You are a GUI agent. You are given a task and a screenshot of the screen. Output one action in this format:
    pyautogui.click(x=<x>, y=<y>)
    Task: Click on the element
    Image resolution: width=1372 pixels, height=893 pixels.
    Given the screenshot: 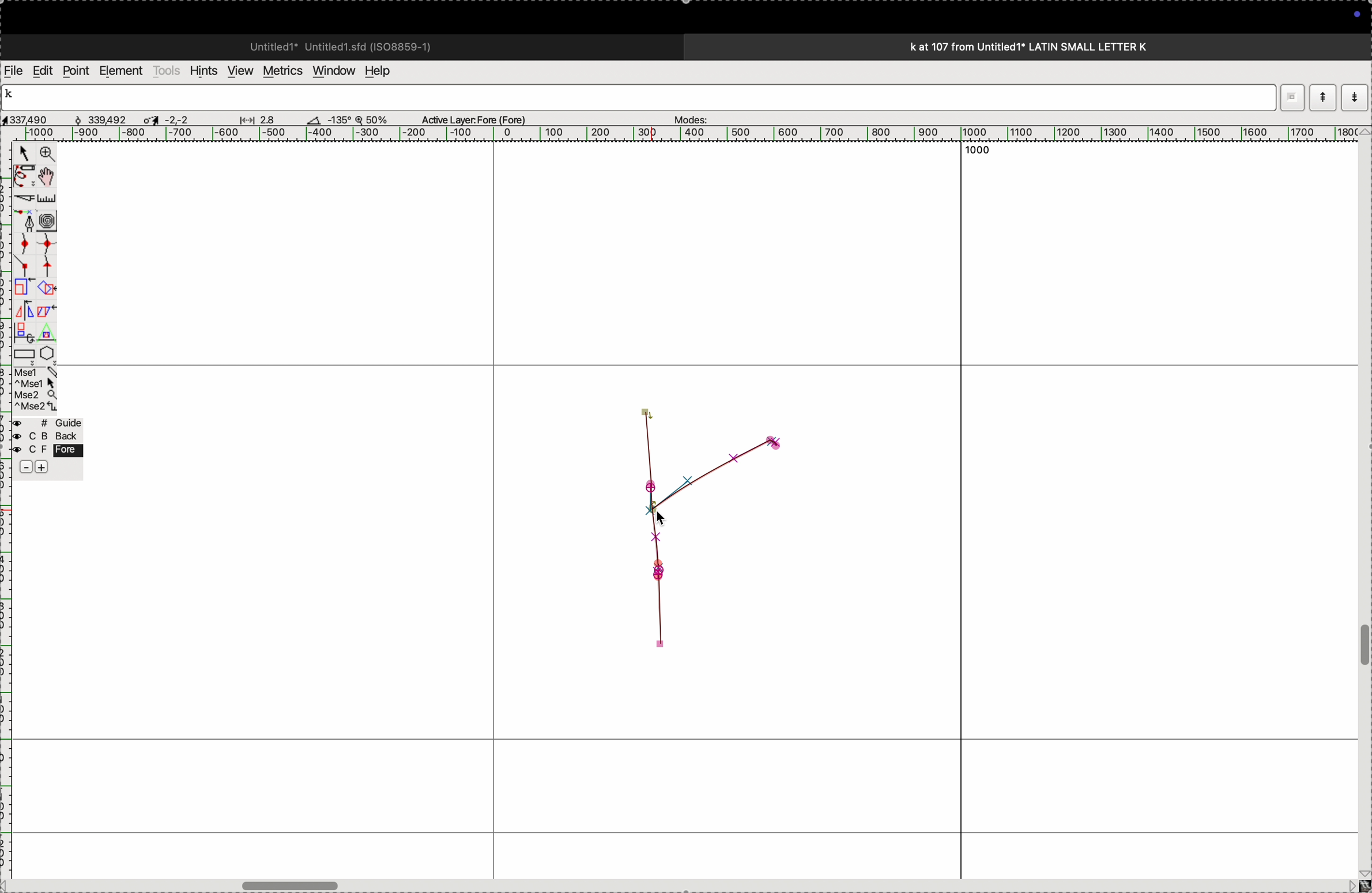 What is the action you would take?
    pyautogui.click(x=122, y=71)
    